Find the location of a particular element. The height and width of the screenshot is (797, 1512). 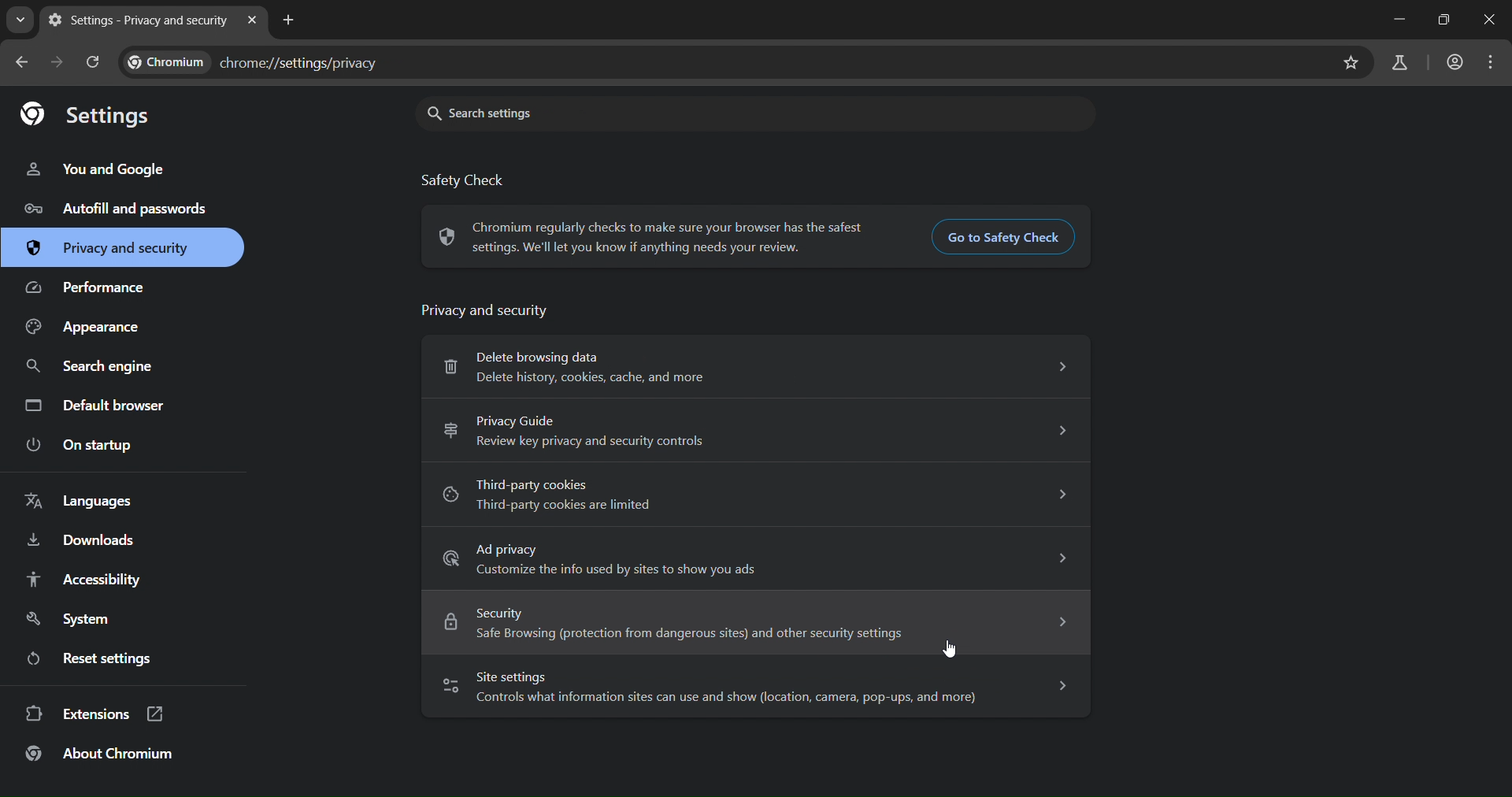

cursor is located at coordinates (951, 649).